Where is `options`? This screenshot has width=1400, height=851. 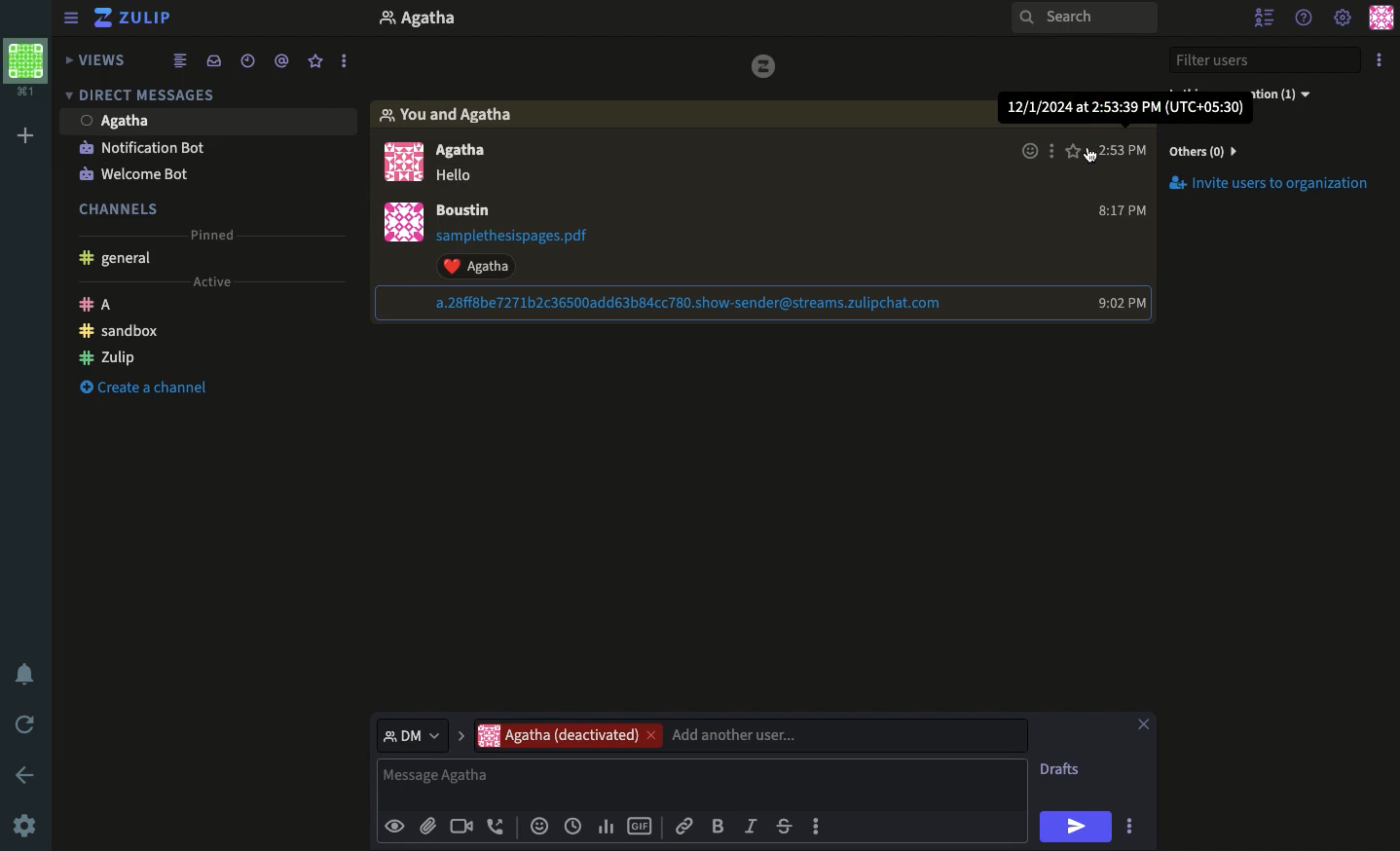
options is located at coordinates (816, 826).